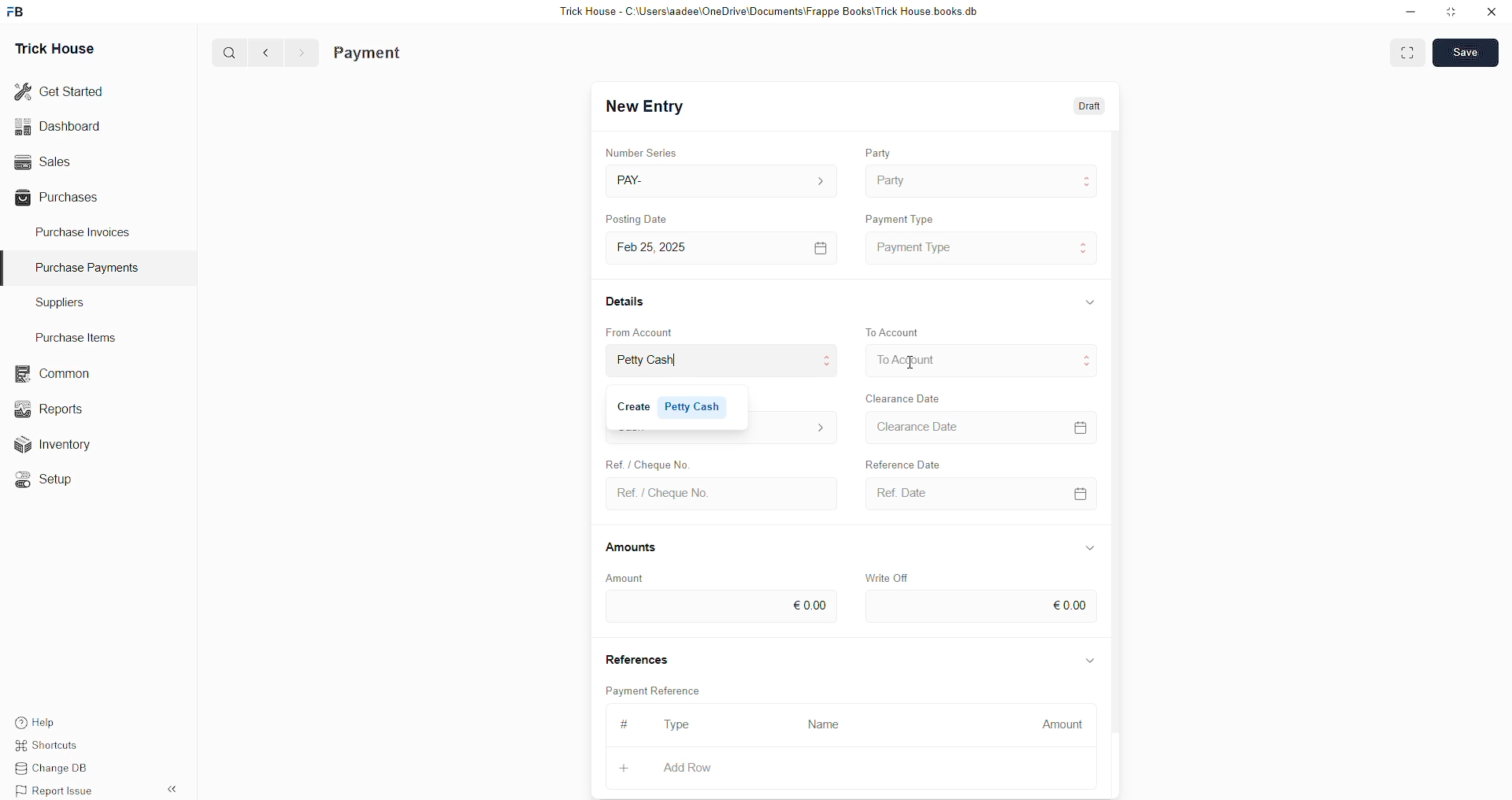 This screenshot has height=800, width=1512. I want to click on Payment Reference, so click(661, 689).